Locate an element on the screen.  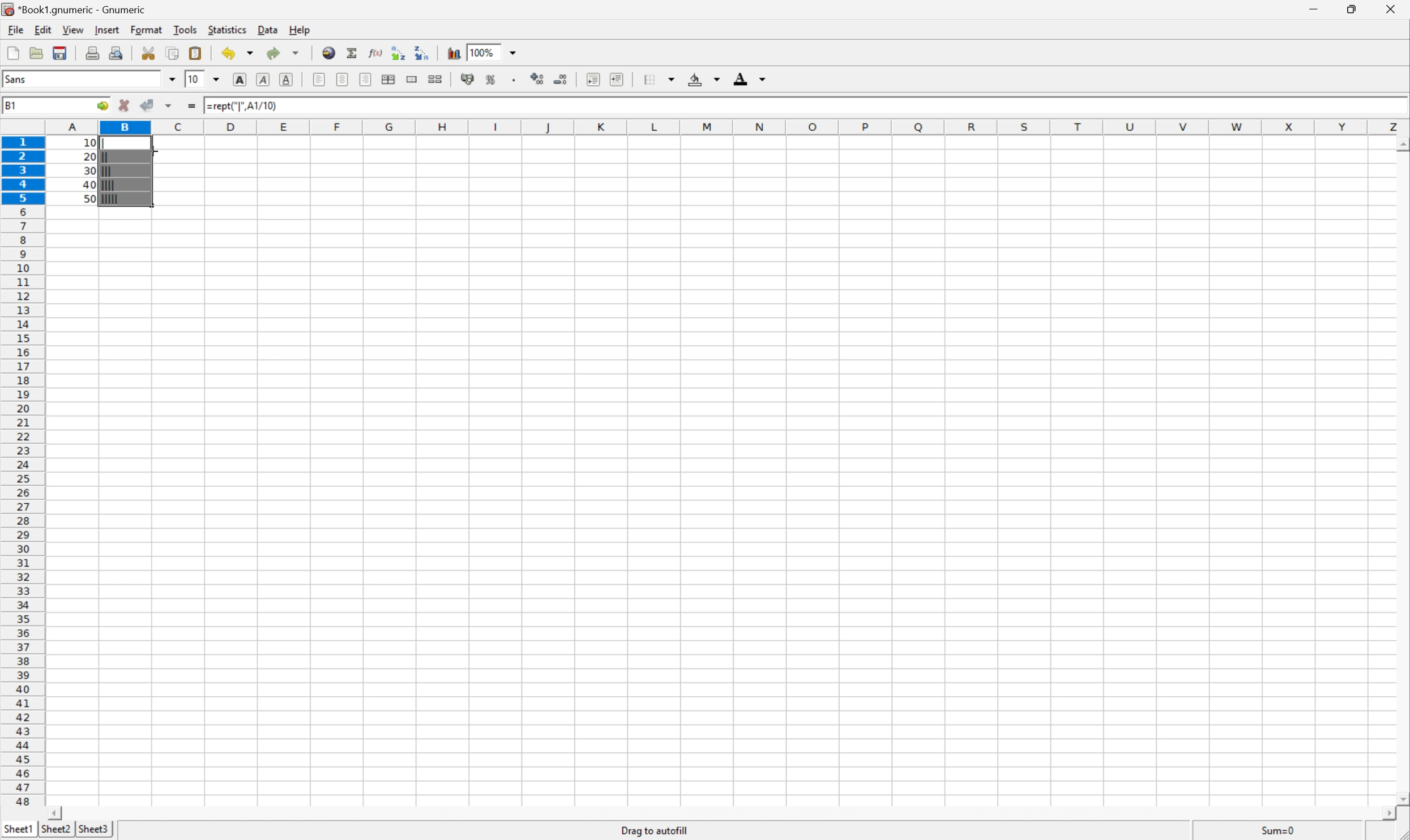
Italic is located at coordinates (264, 78).